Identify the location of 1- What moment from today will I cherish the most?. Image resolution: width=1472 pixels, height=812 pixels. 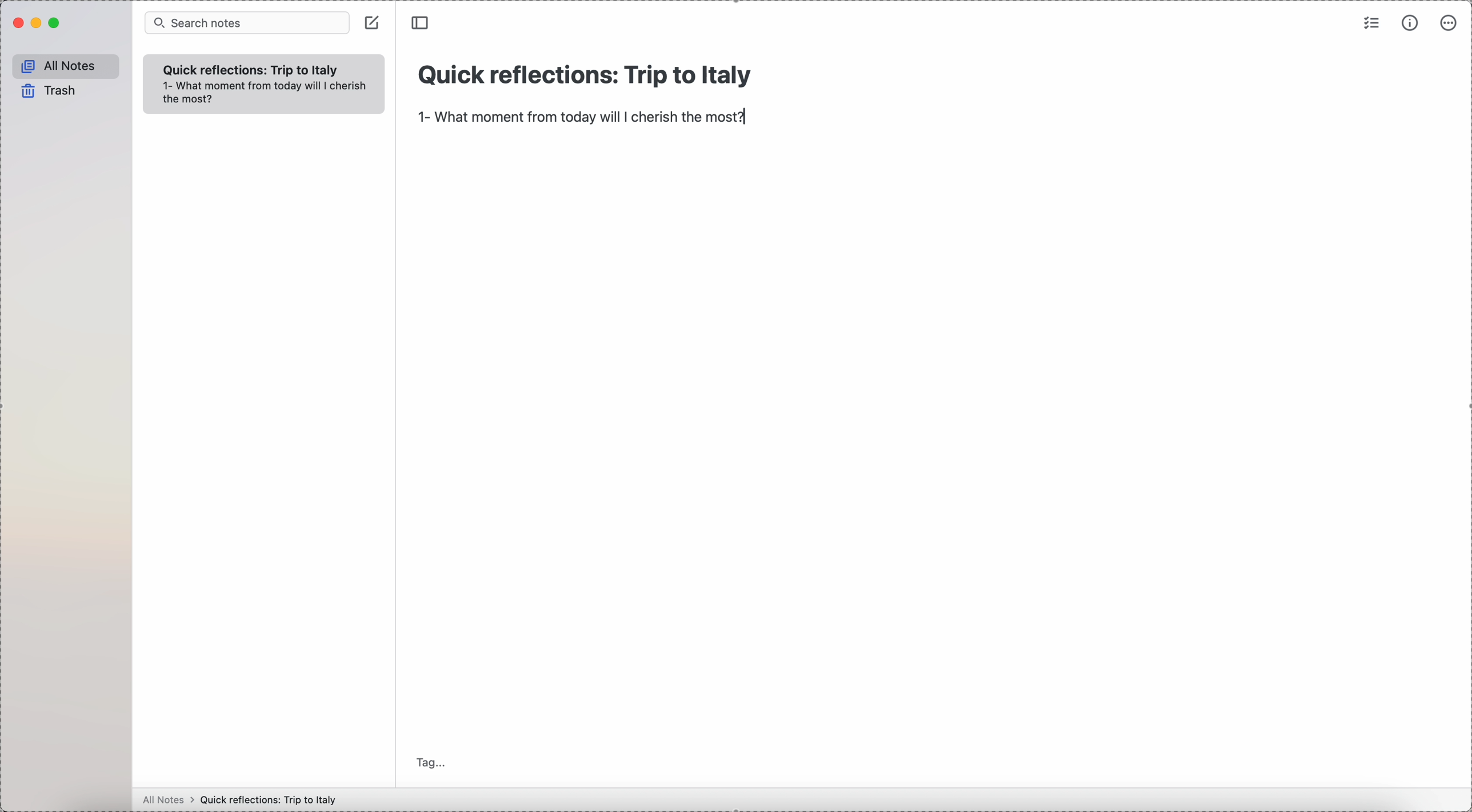
(583, 118).